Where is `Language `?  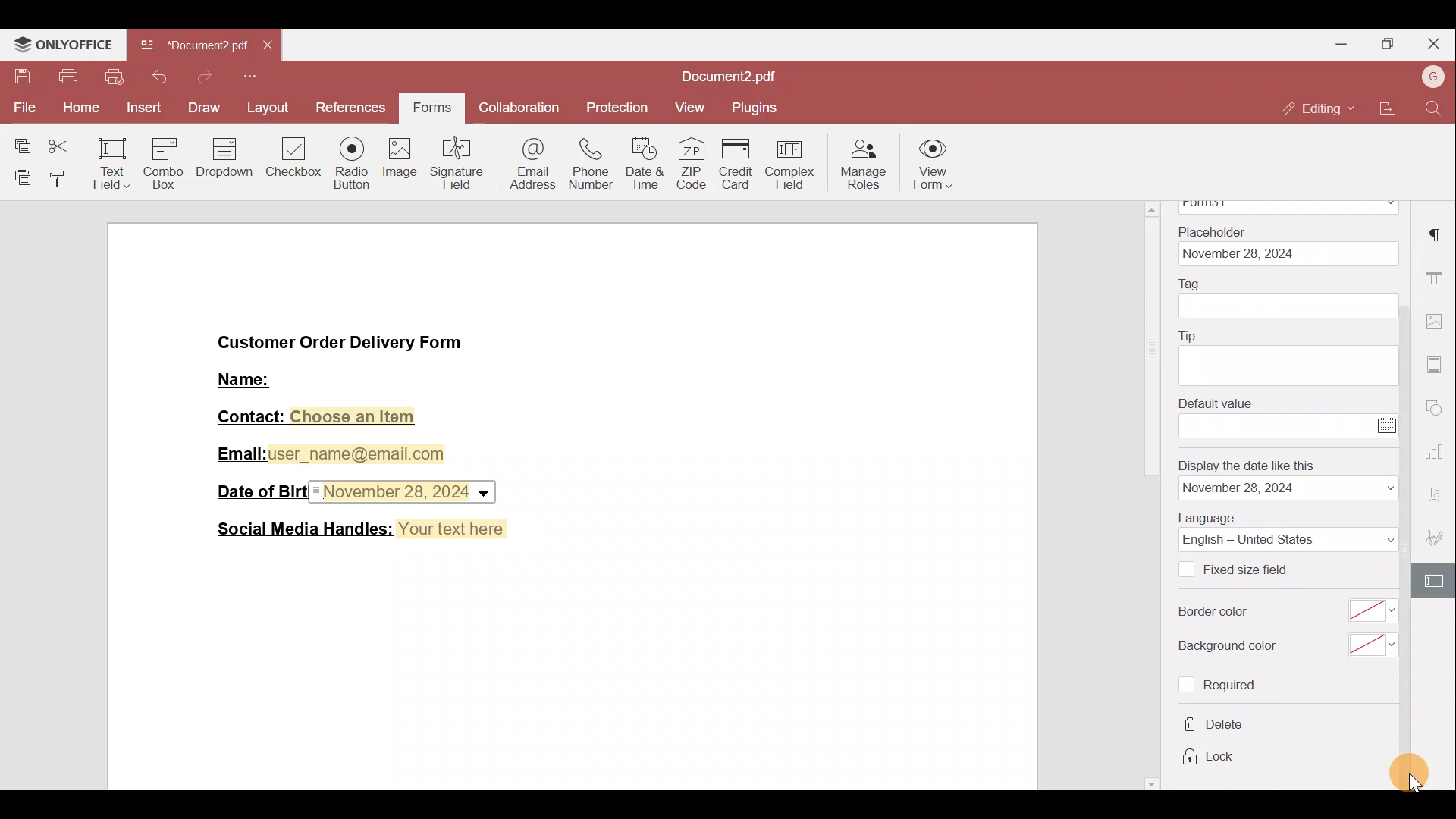 Language  is located at coordinates (1287, 538).